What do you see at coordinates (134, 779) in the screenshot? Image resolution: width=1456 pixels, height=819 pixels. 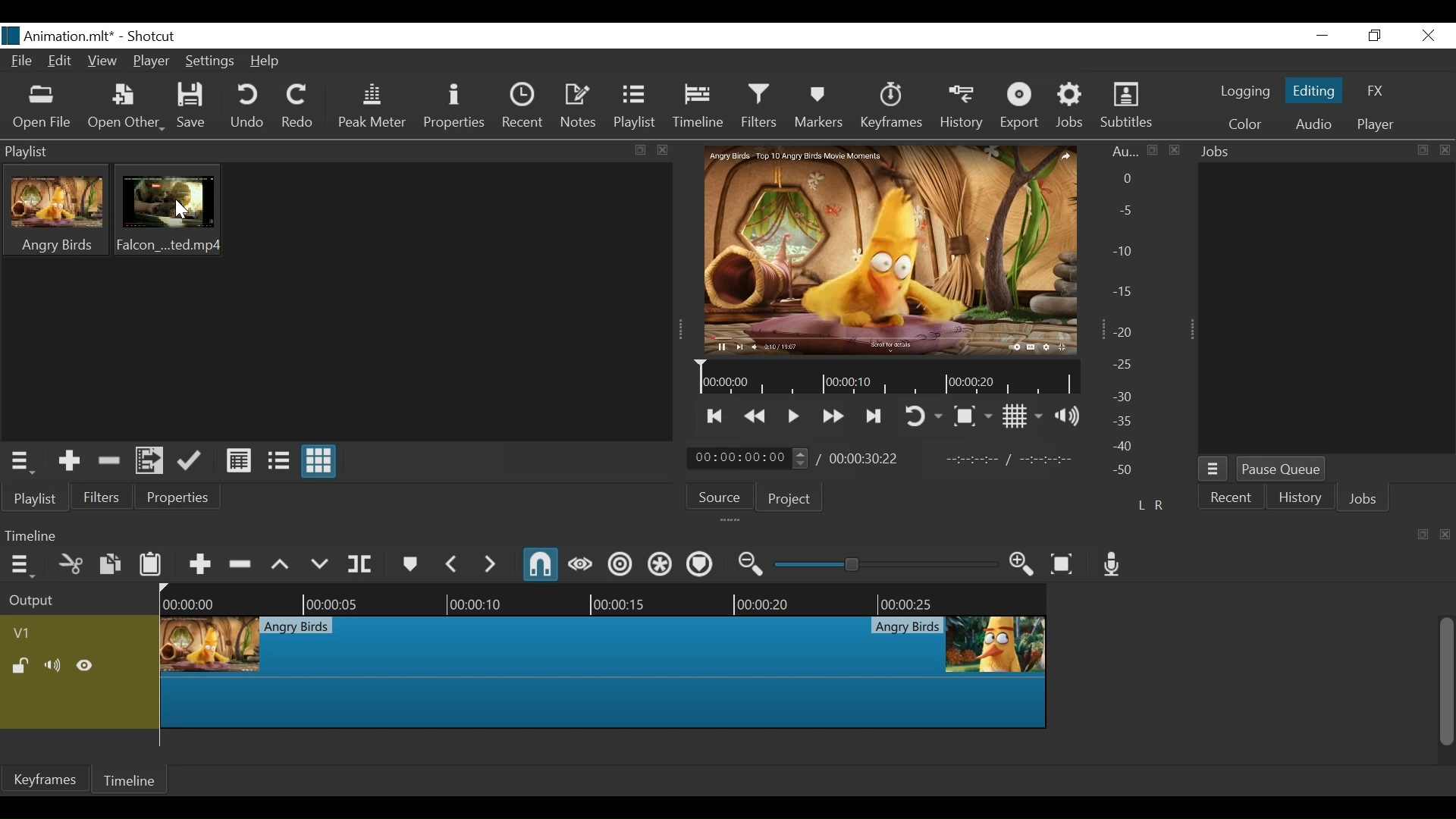 I see `Timeline` at bounding box center [134, 779].